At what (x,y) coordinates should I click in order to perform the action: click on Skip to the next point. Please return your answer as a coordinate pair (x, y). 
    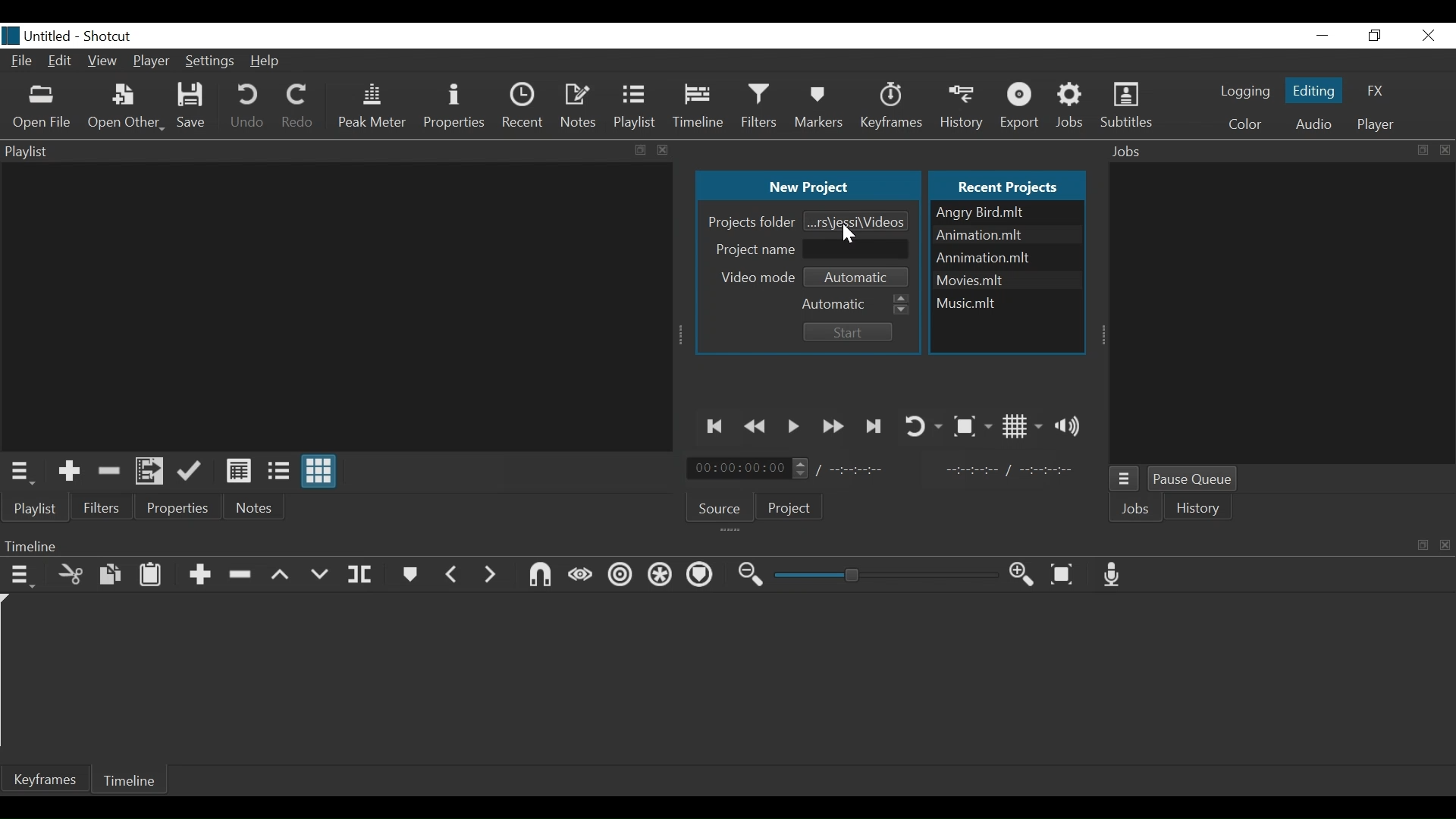
    Looking at the image, I should click on (874, 426).